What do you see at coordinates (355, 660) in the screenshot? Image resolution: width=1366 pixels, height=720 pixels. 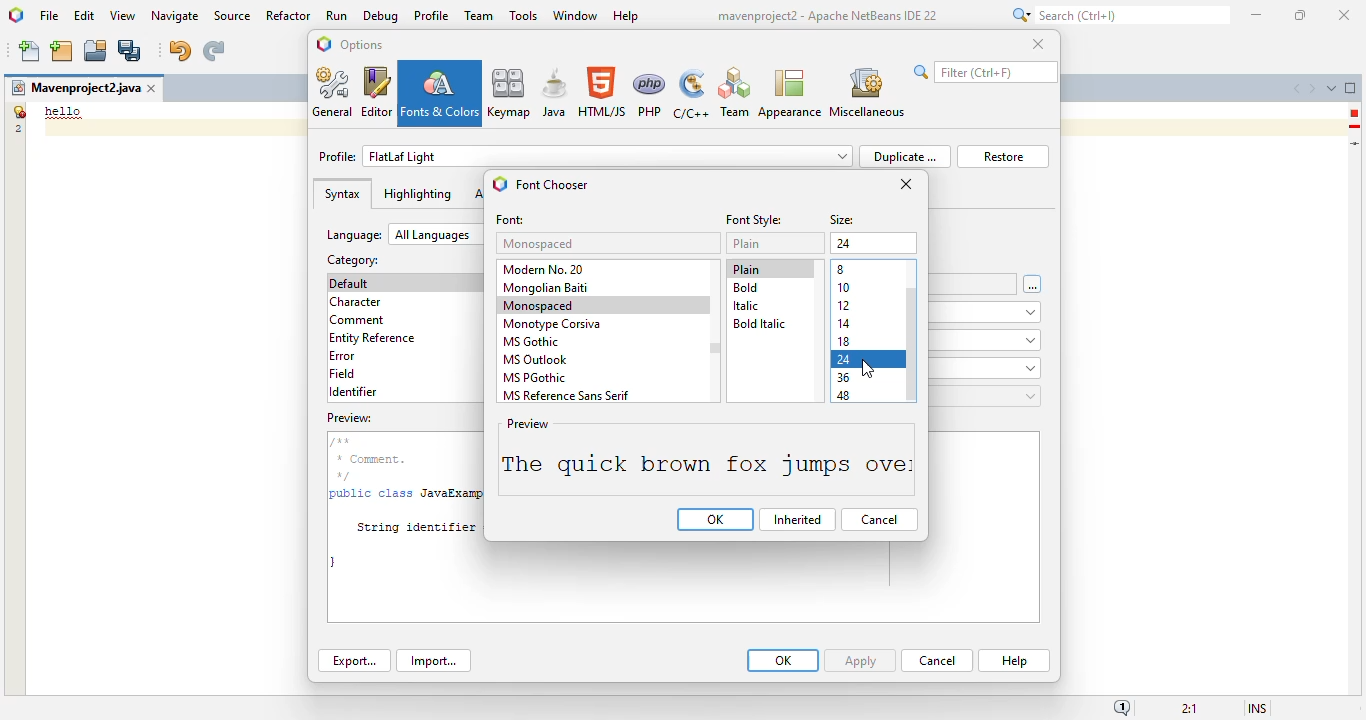 I see `export` at bounding box center [355, 660].